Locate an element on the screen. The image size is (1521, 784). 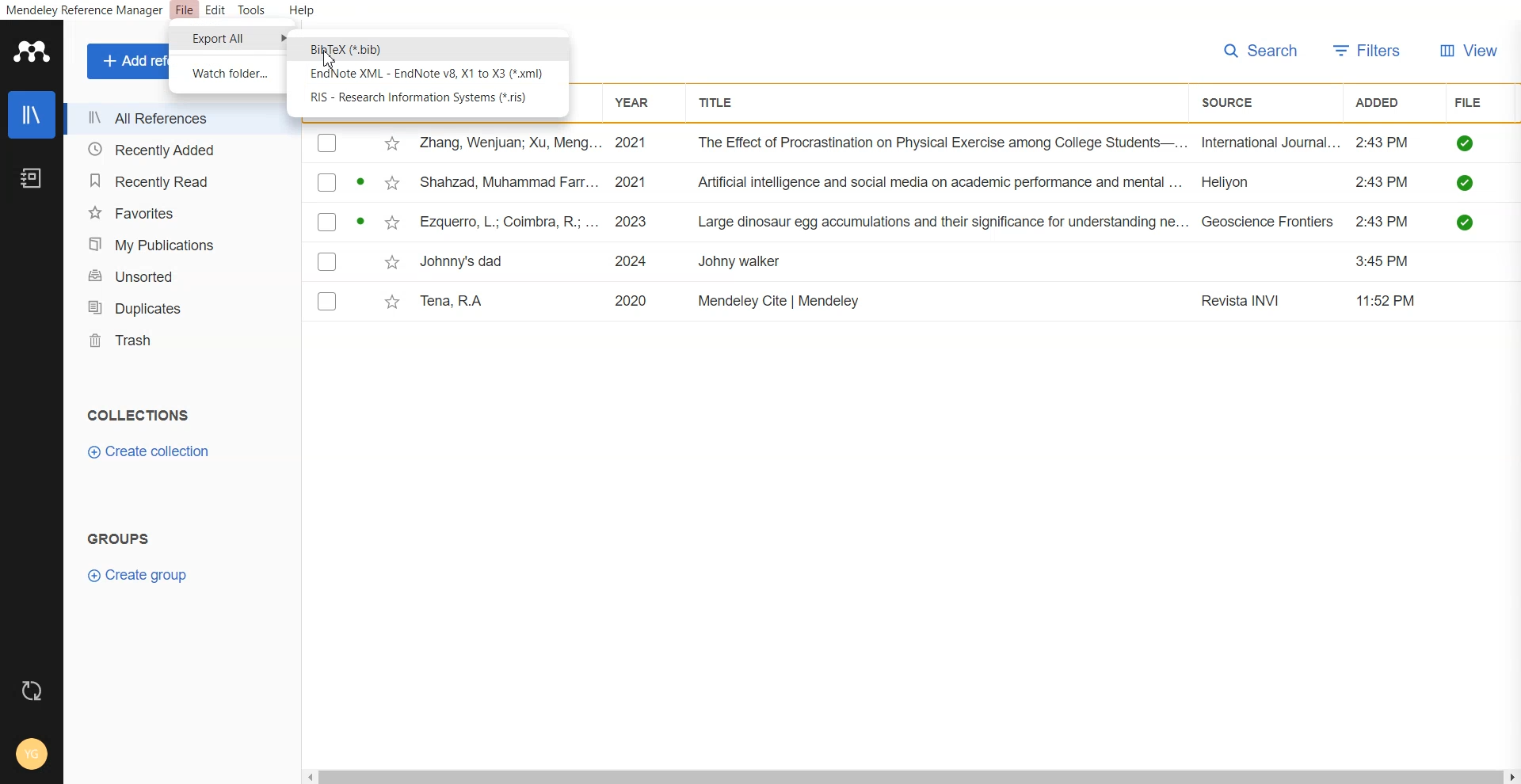
Johnny's dad is located at coordinates (465, 259).